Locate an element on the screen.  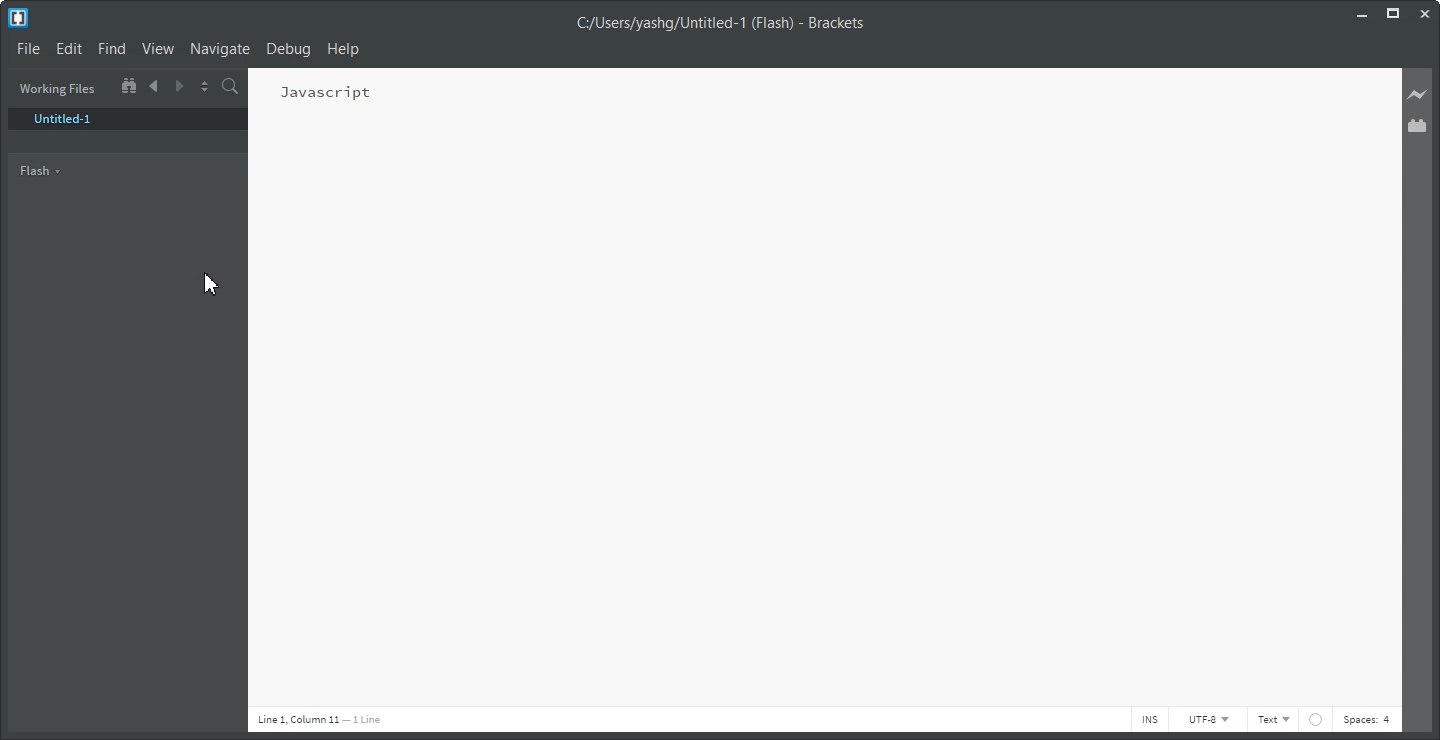
Cursor is located at coordinates (212, 286).